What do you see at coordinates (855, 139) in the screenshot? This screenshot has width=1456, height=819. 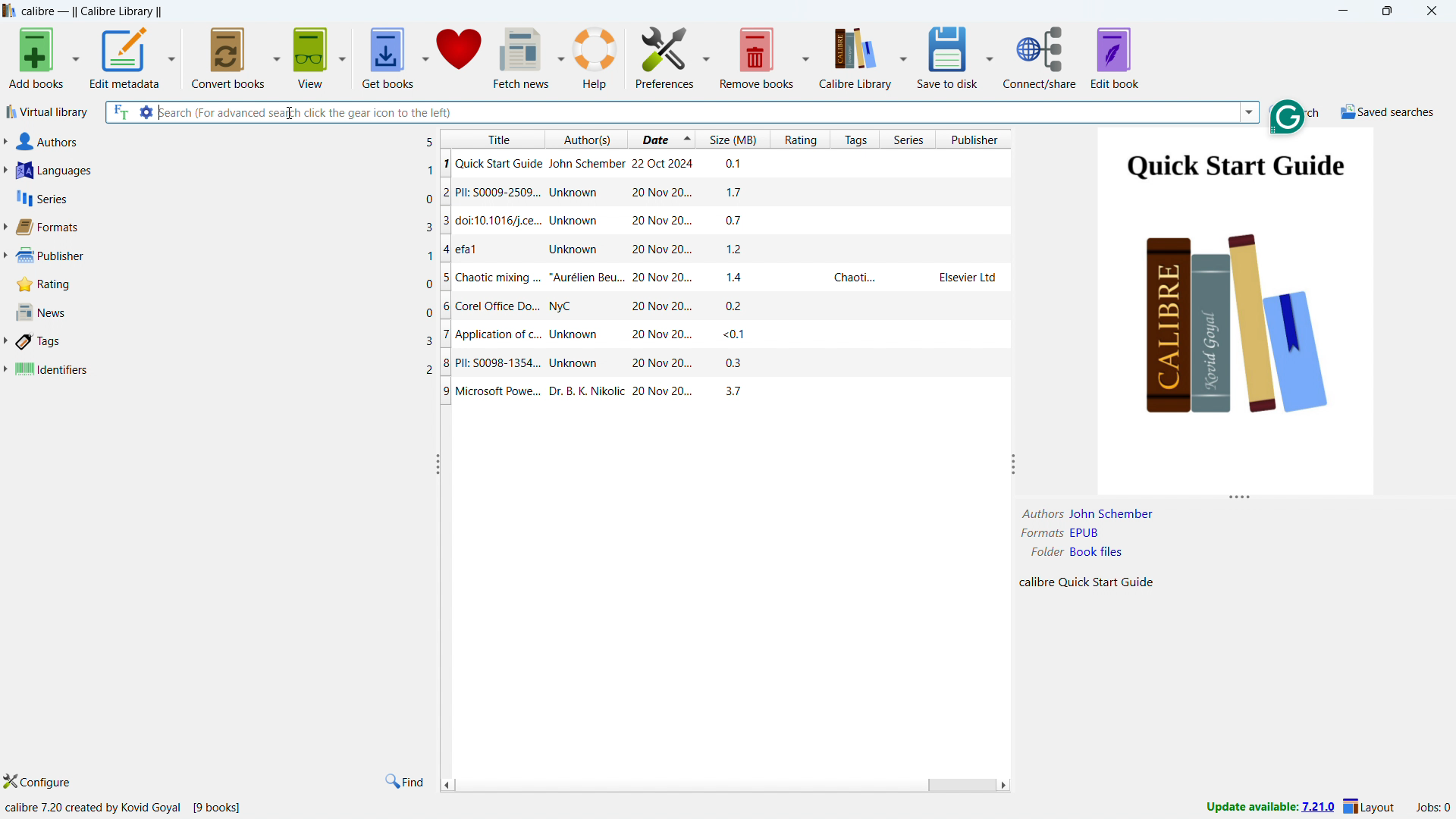 I see `sort by tags` at bounding box center [855, 139].